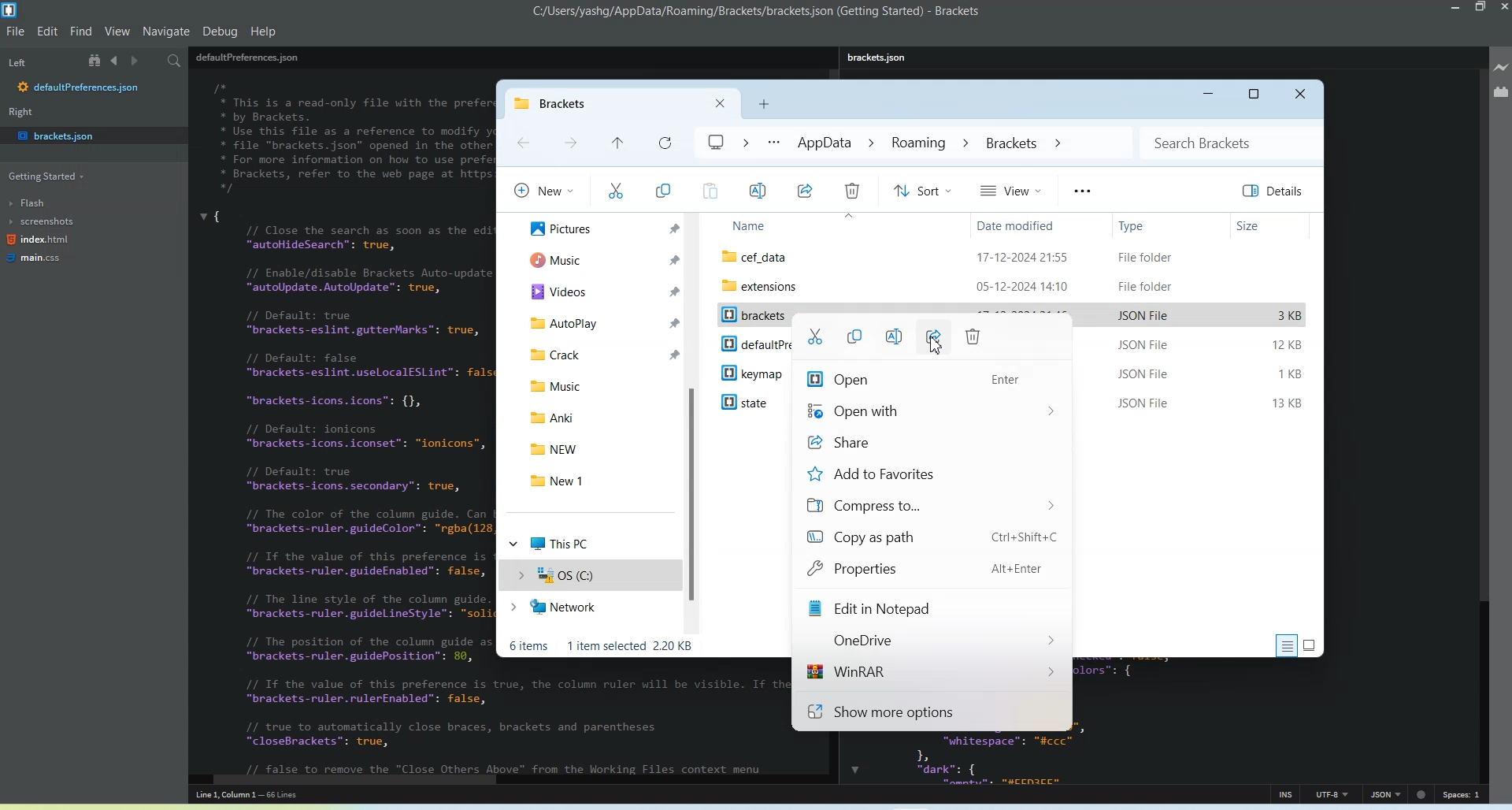 This screenshot has width=1512, height=810. Describe the element at coordinates (602, 646) in the screenshot. I see `6 items 1 item selected 2.20 kb` at that location.